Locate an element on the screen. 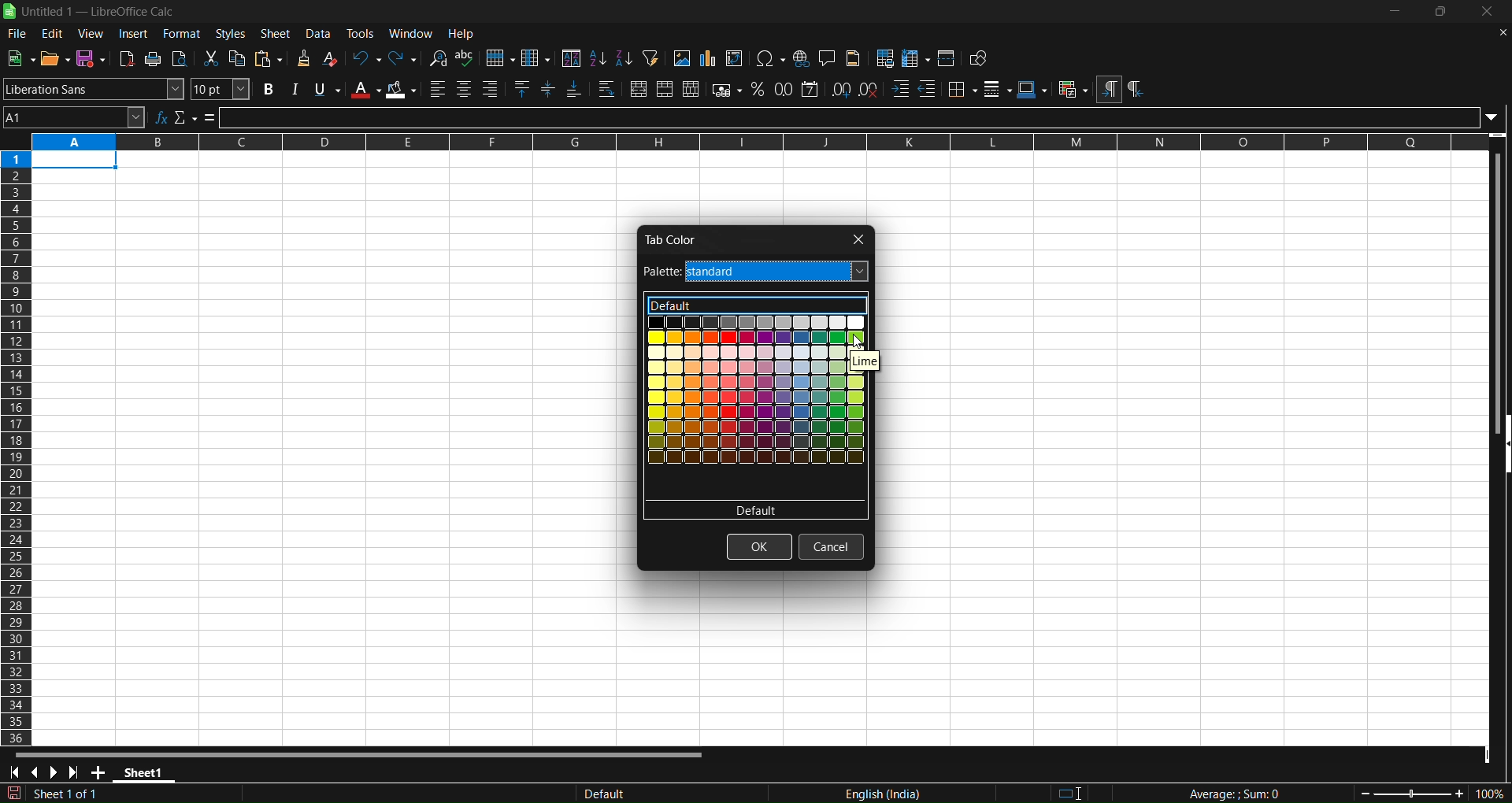 This screenshot has width=1512, height=803. show draw functions is located at coordinates (980, 60).